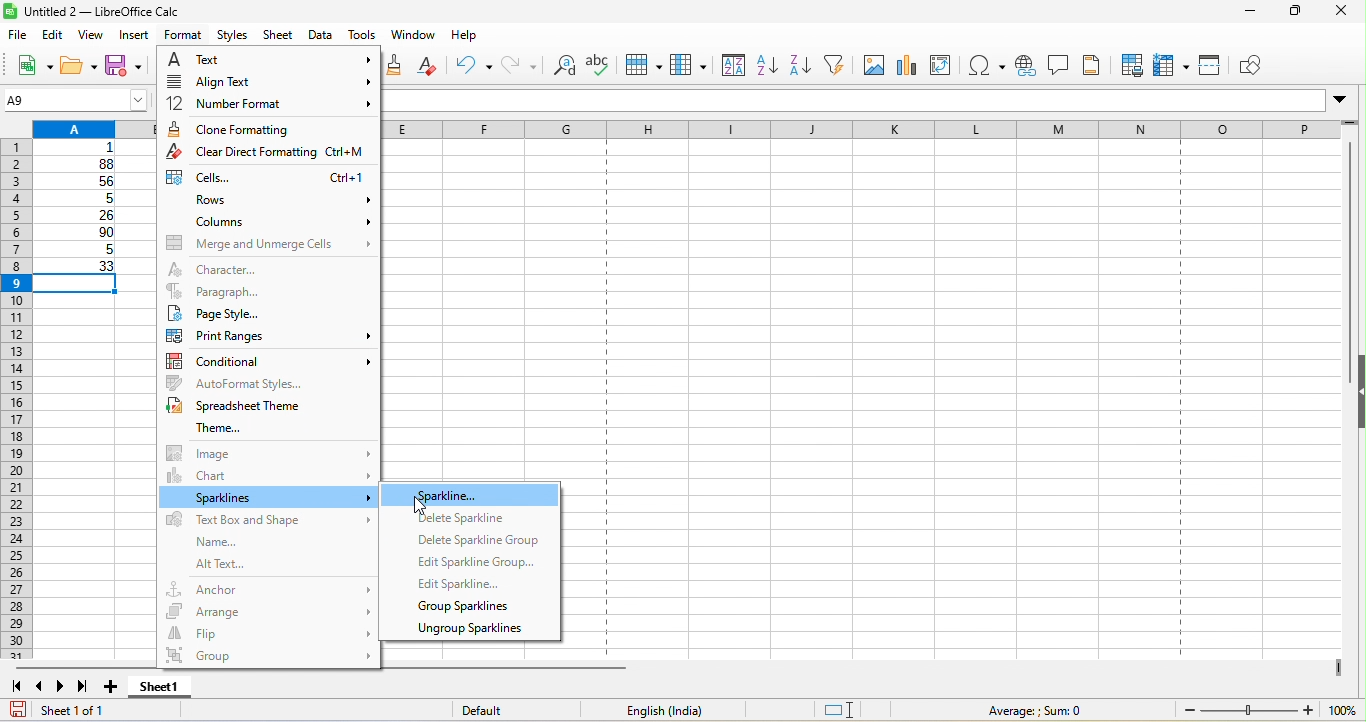 The height and width of the screenshot is (722, 1366). Describe the element at coordinates (474, 65) in the screenshot. I see `undo` at that location.